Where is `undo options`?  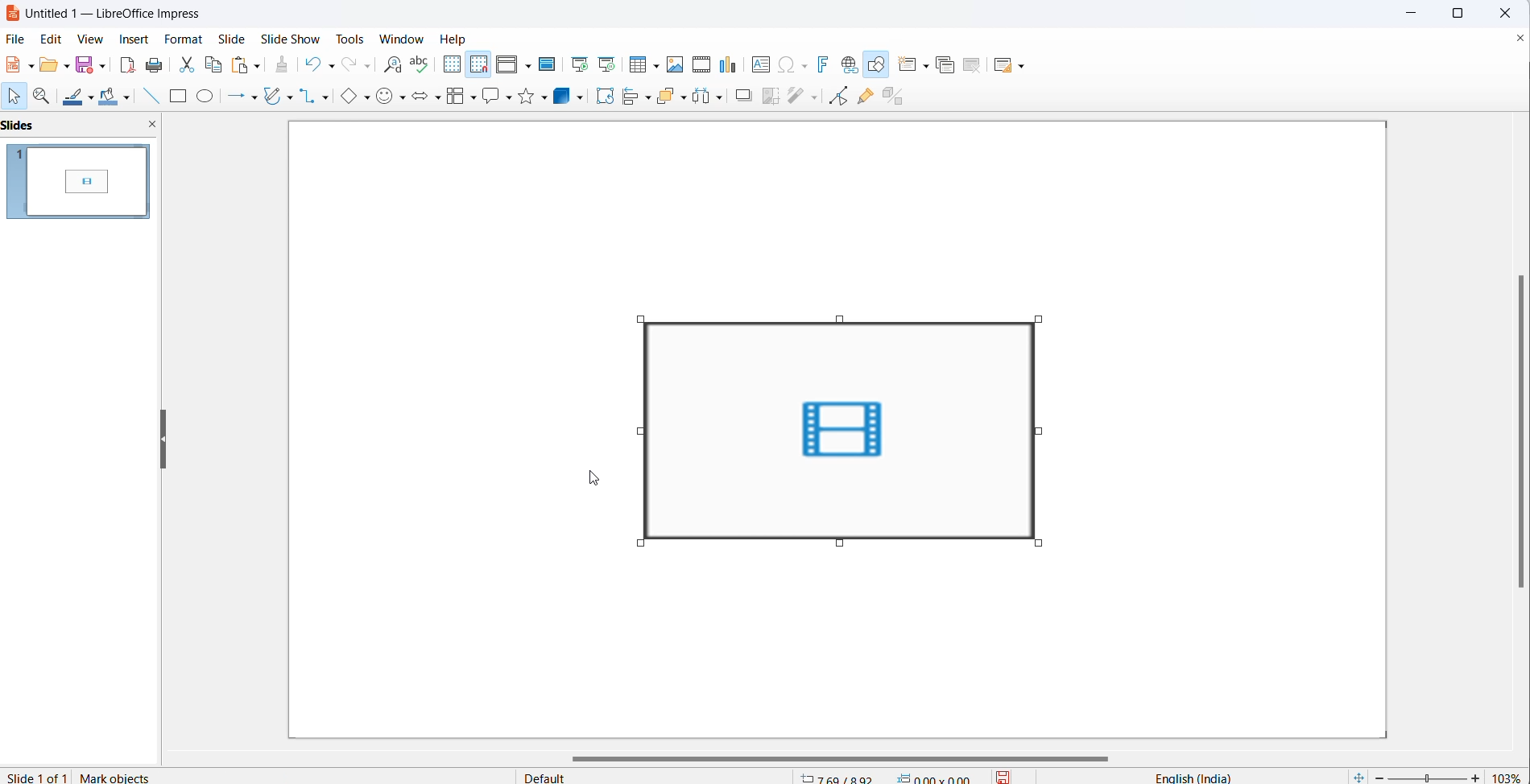 undo options is located at coordinates (329, 65).